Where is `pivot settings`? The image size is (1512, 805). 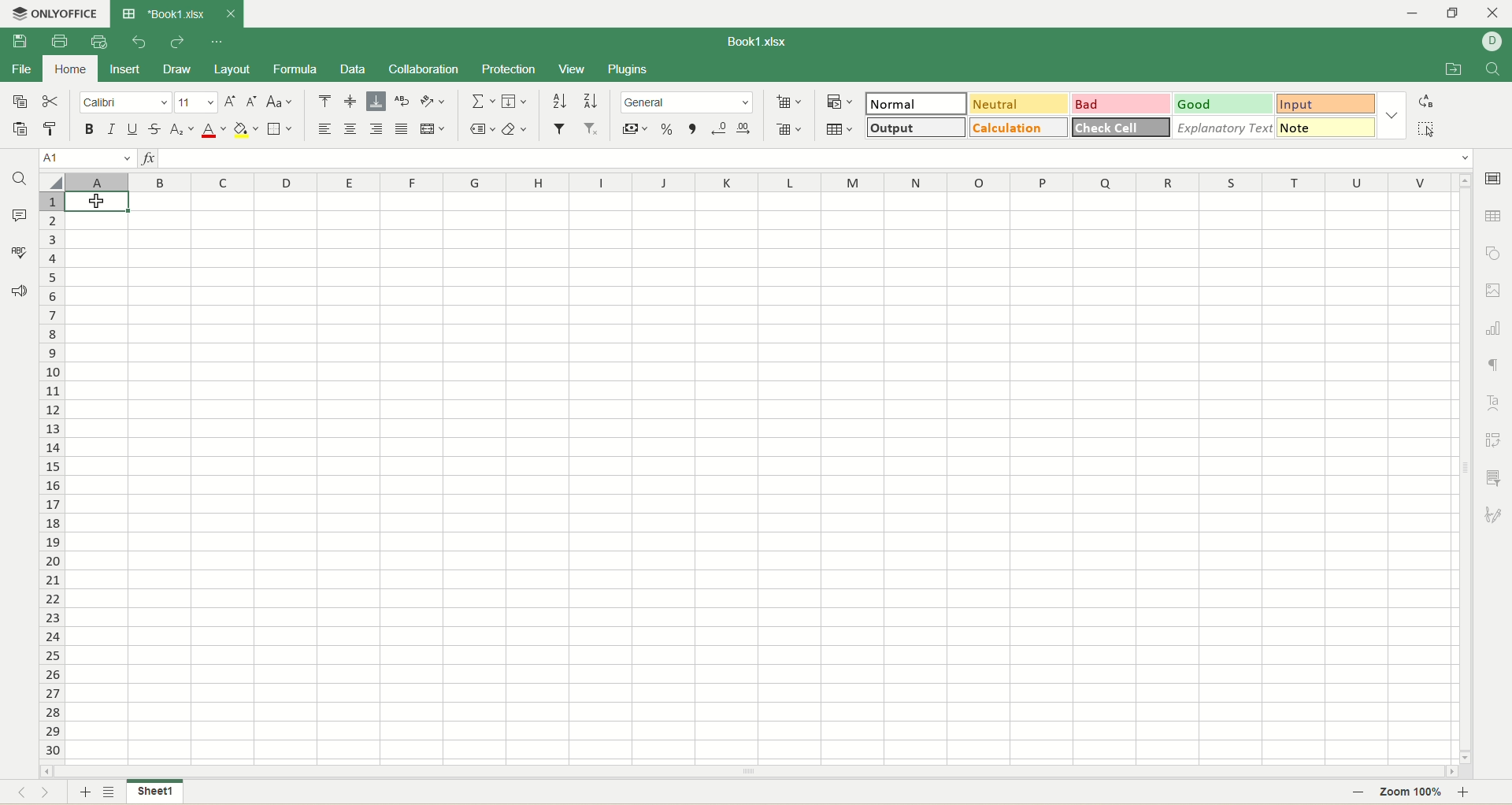 pivot settings is located at coordinates (1495, 440).